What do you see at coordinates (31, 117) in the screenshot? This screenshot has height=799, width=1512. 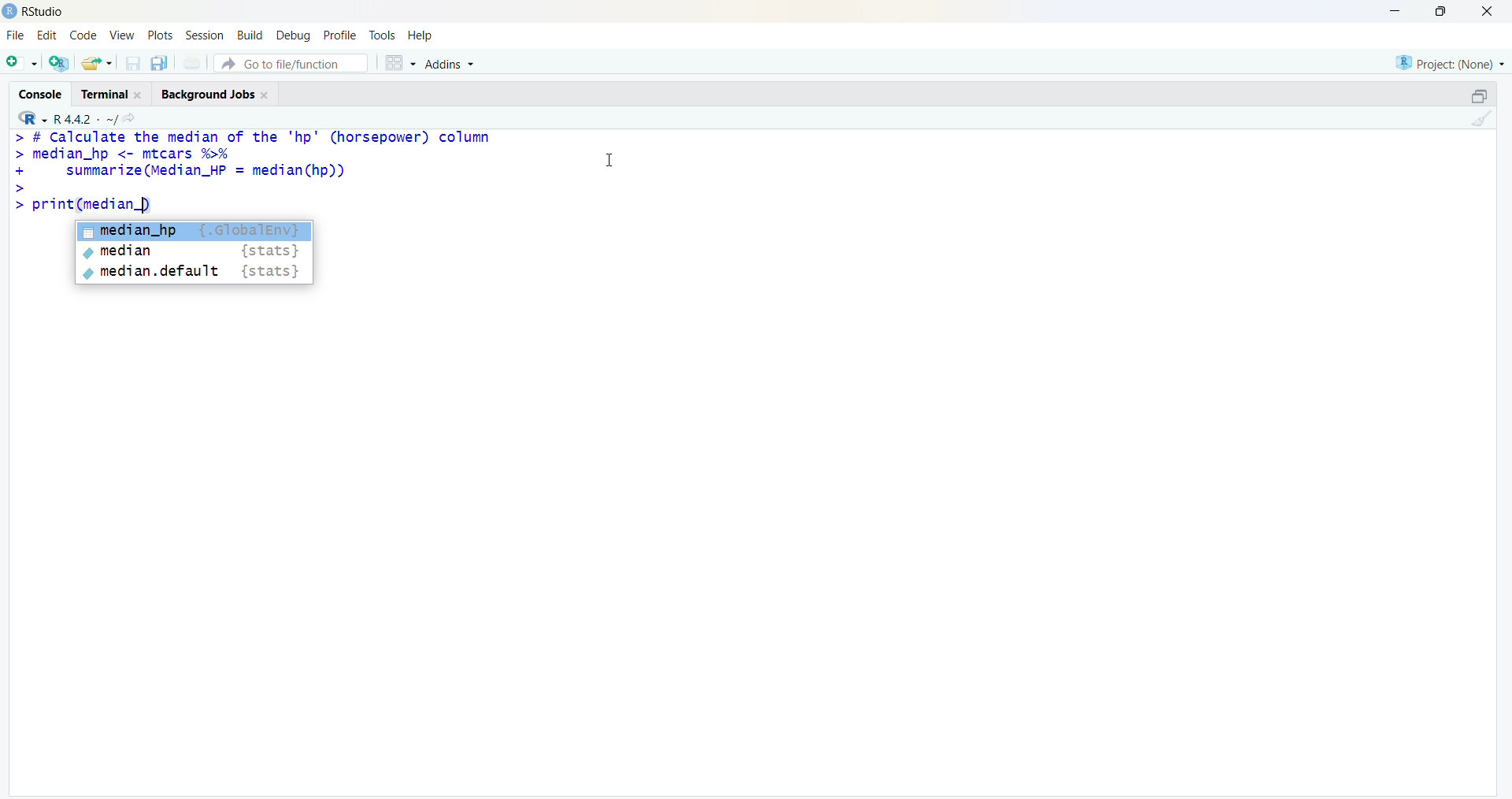 I see `R` at bounding box center [31, 117].